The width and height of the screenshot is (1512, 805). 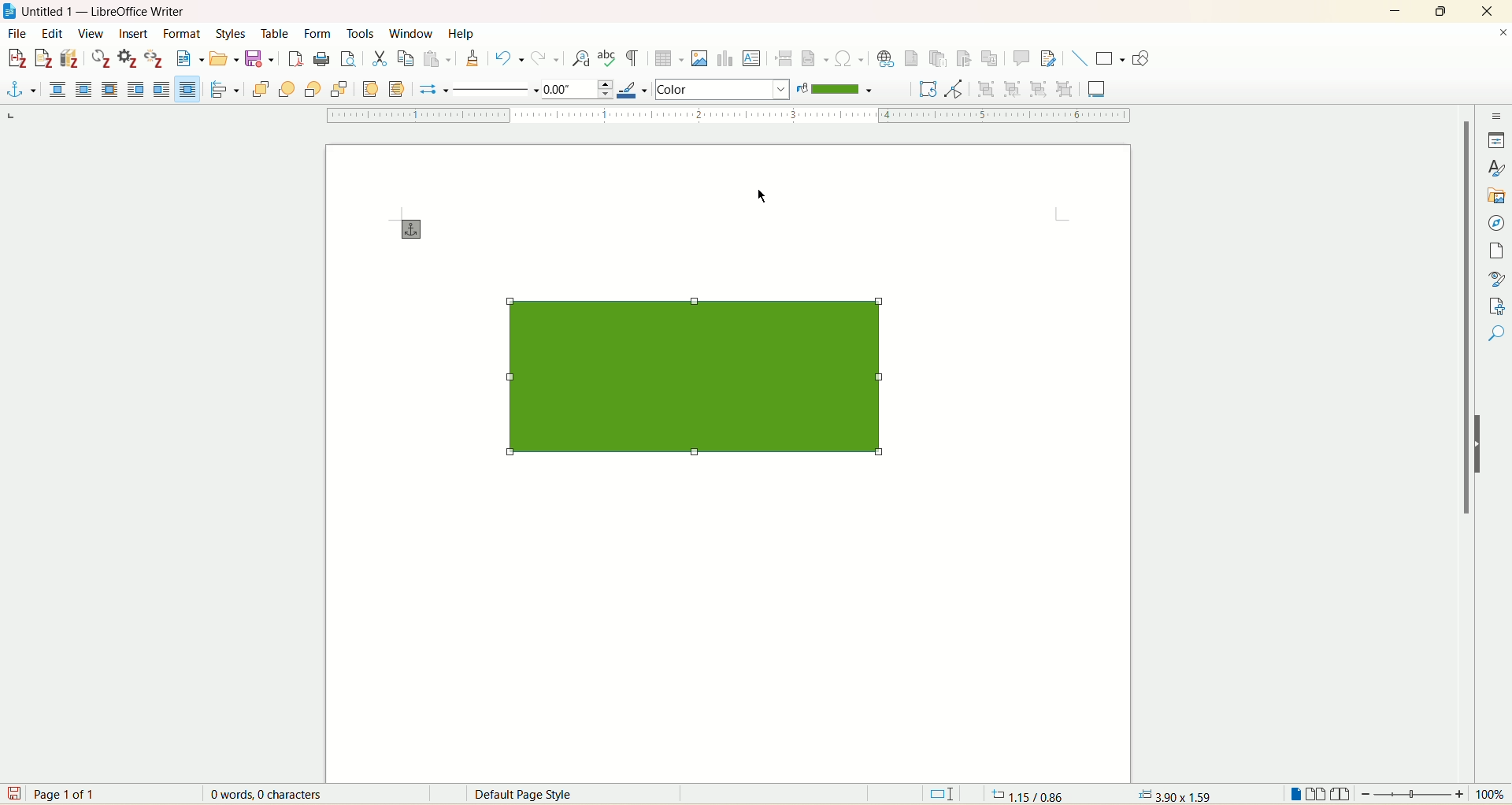 What do you see at coordinates (925, 89) in the screenshot?
I see `rotate` at bounding box center [925, 89].